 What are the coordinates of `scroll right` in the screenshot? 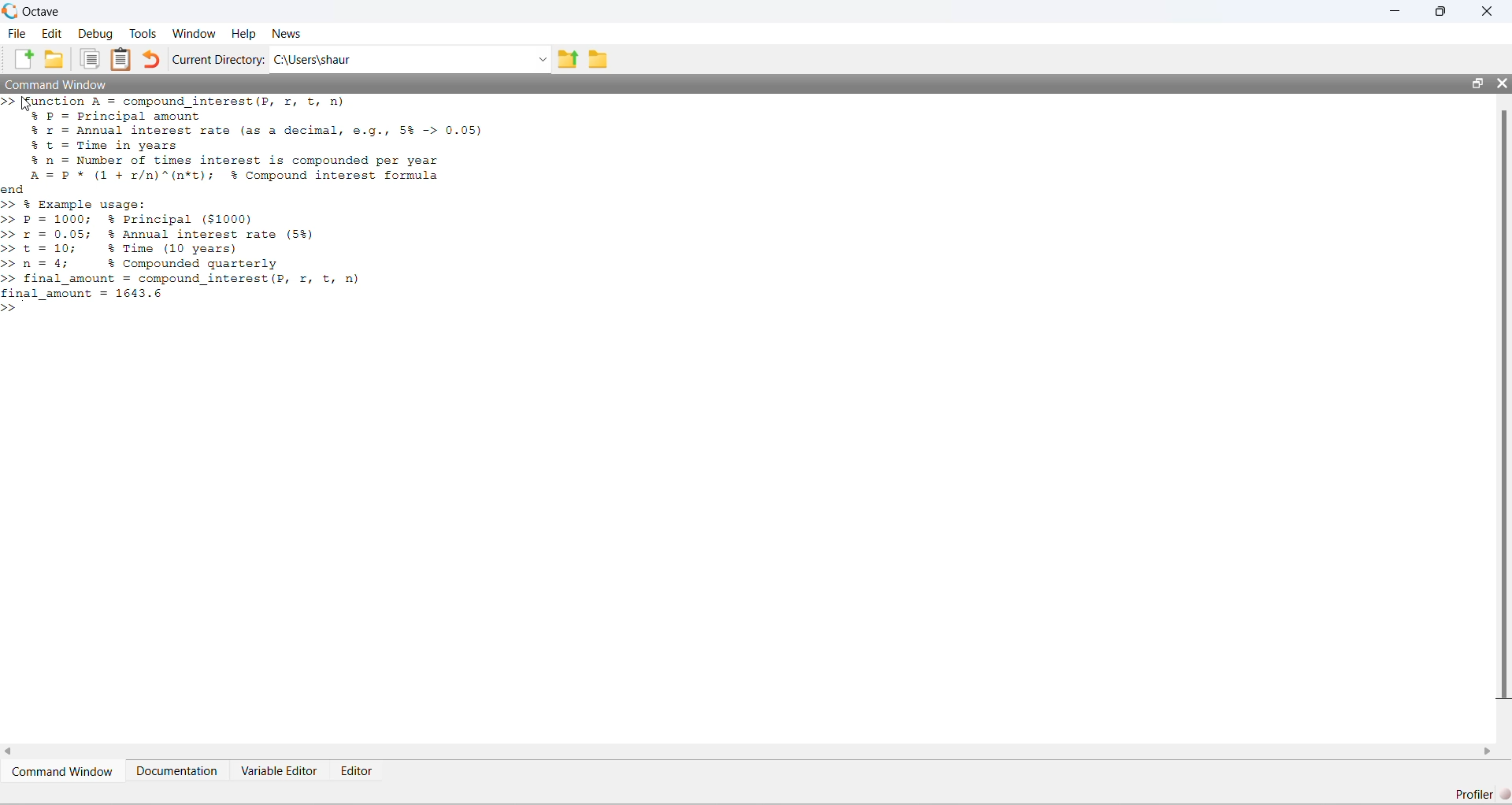 It's located at (1488, 751).